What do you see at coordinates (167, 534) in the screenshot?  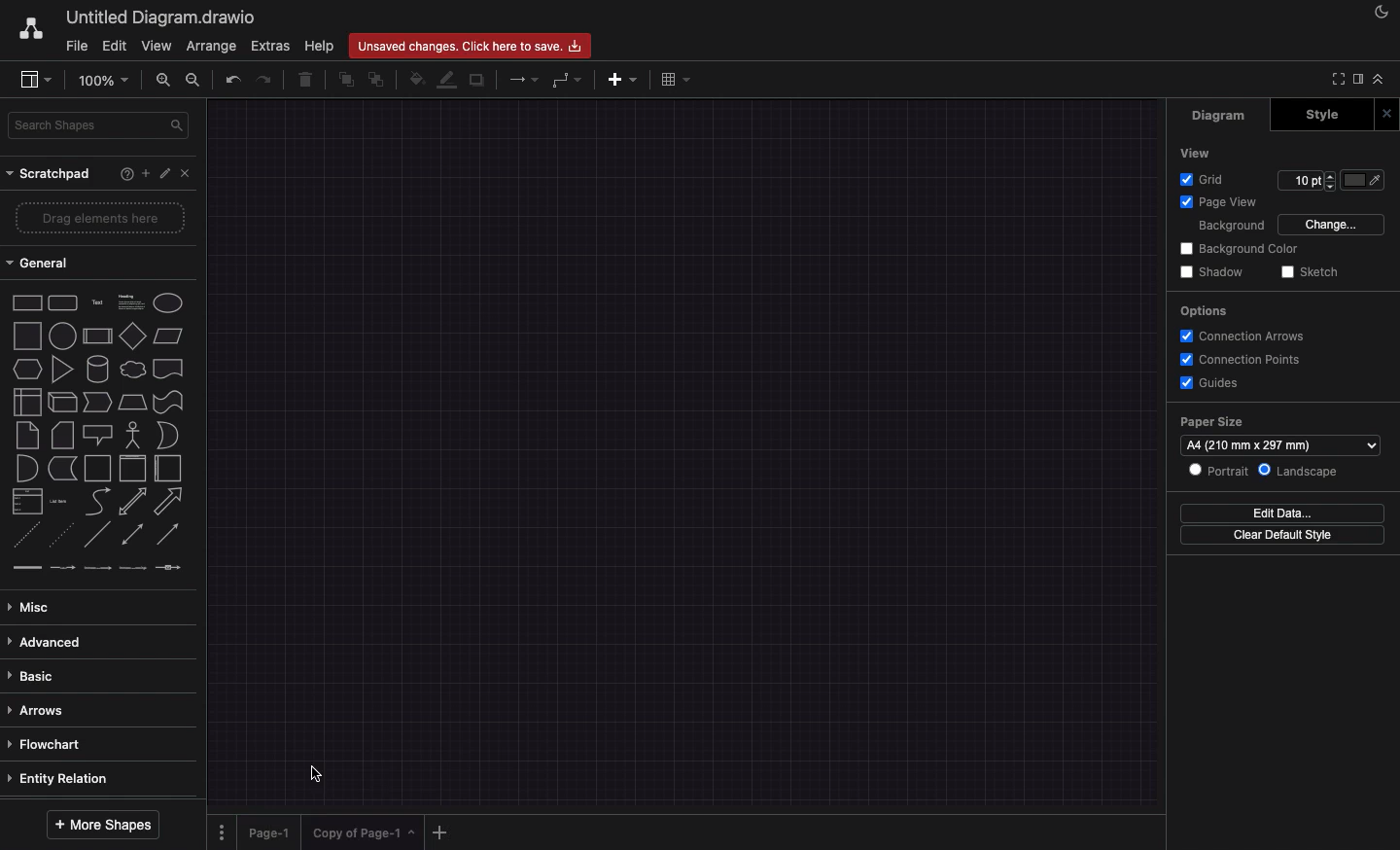 I see `directional connector` at bounding box center [167, 534].